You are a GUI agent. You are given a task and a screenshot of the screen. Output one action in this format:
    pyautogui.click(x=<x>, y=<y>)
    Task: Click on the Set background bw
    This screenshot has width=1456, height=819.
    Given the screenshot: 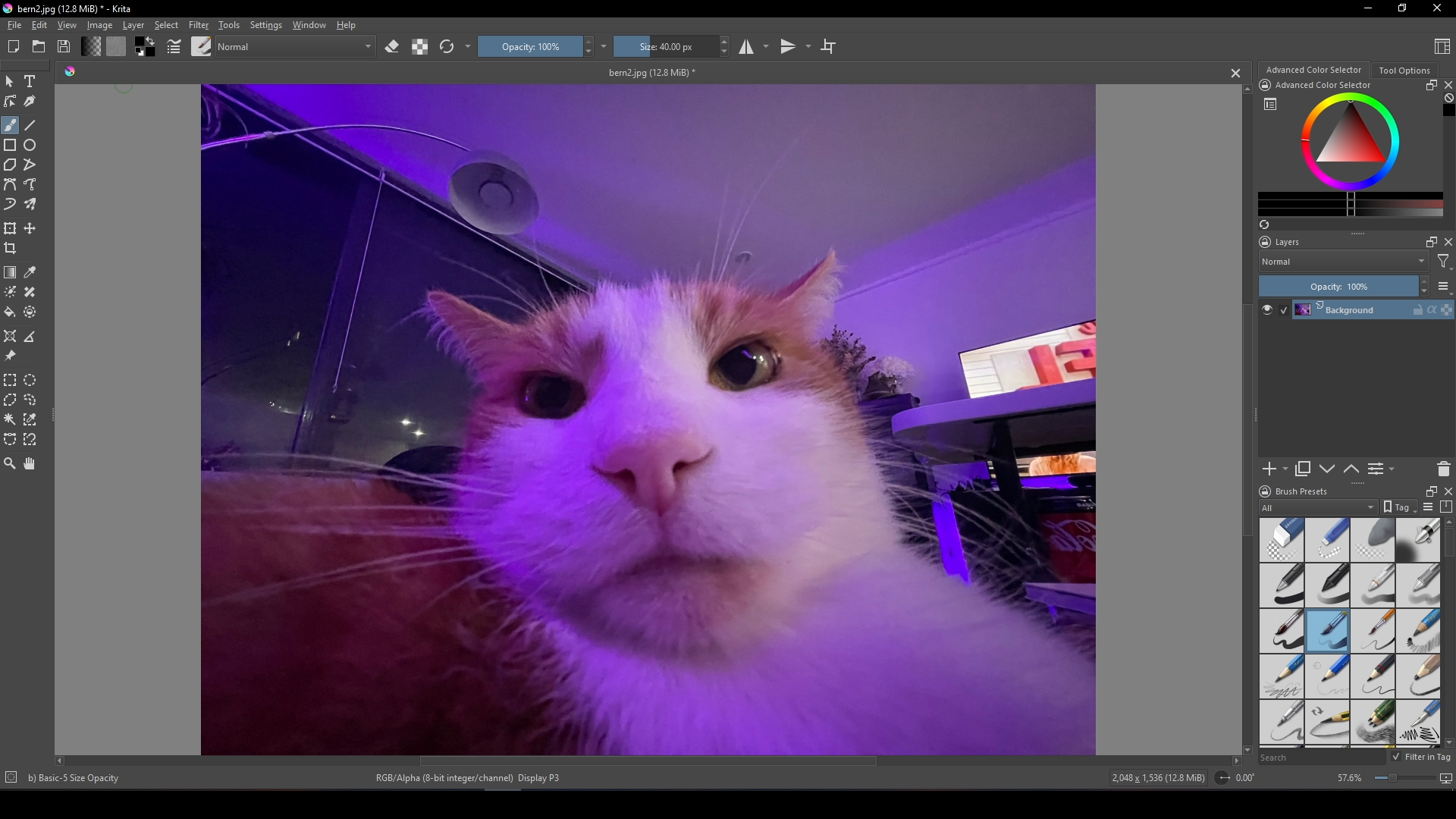 What is the action you would take?
    pyautogui.click(x=146, y=46)
    